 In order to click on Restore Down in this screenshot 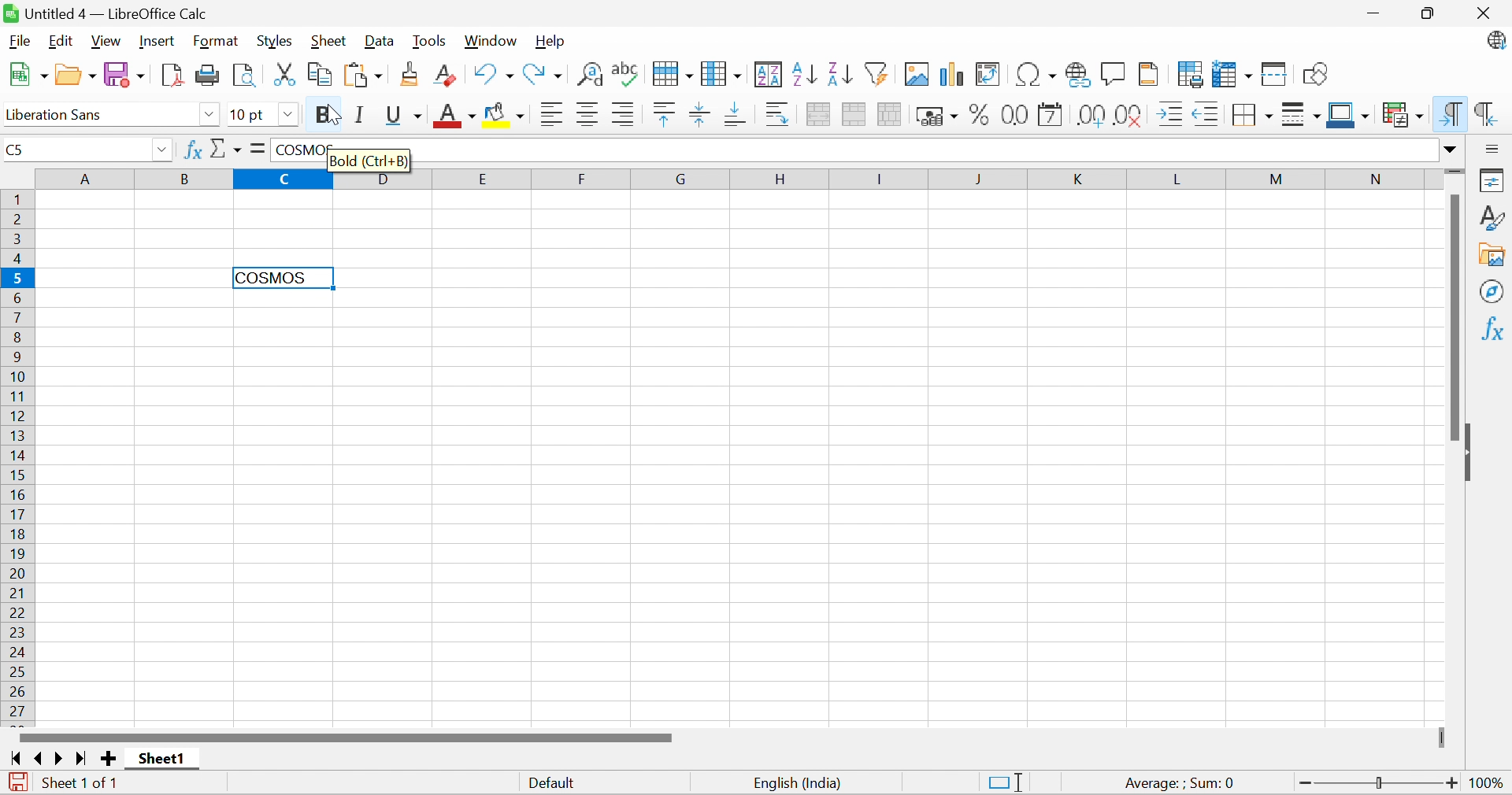, I will do `click(1428, 12)`.